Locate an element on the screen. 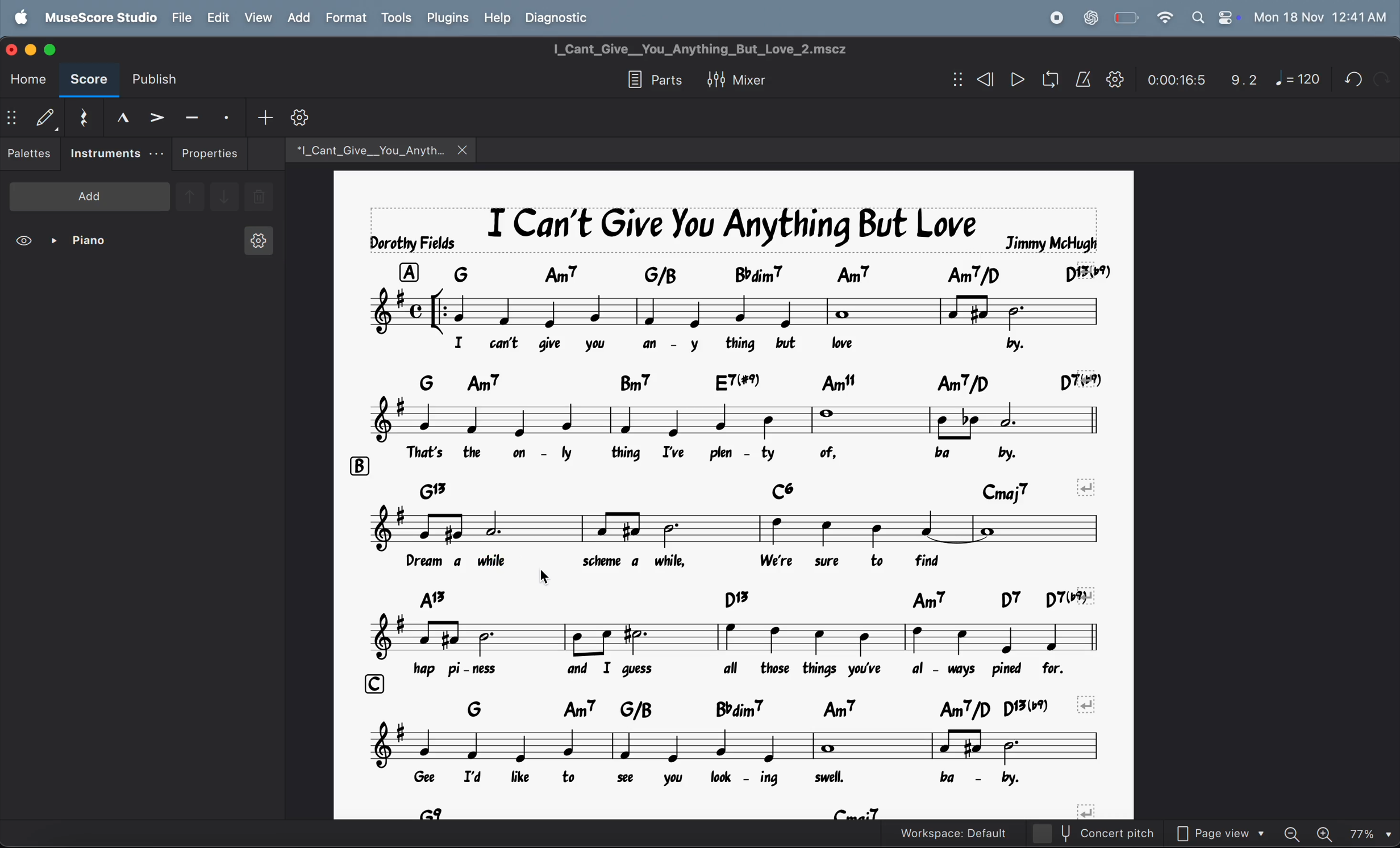  lyrics is located at coordinates (756, 778).